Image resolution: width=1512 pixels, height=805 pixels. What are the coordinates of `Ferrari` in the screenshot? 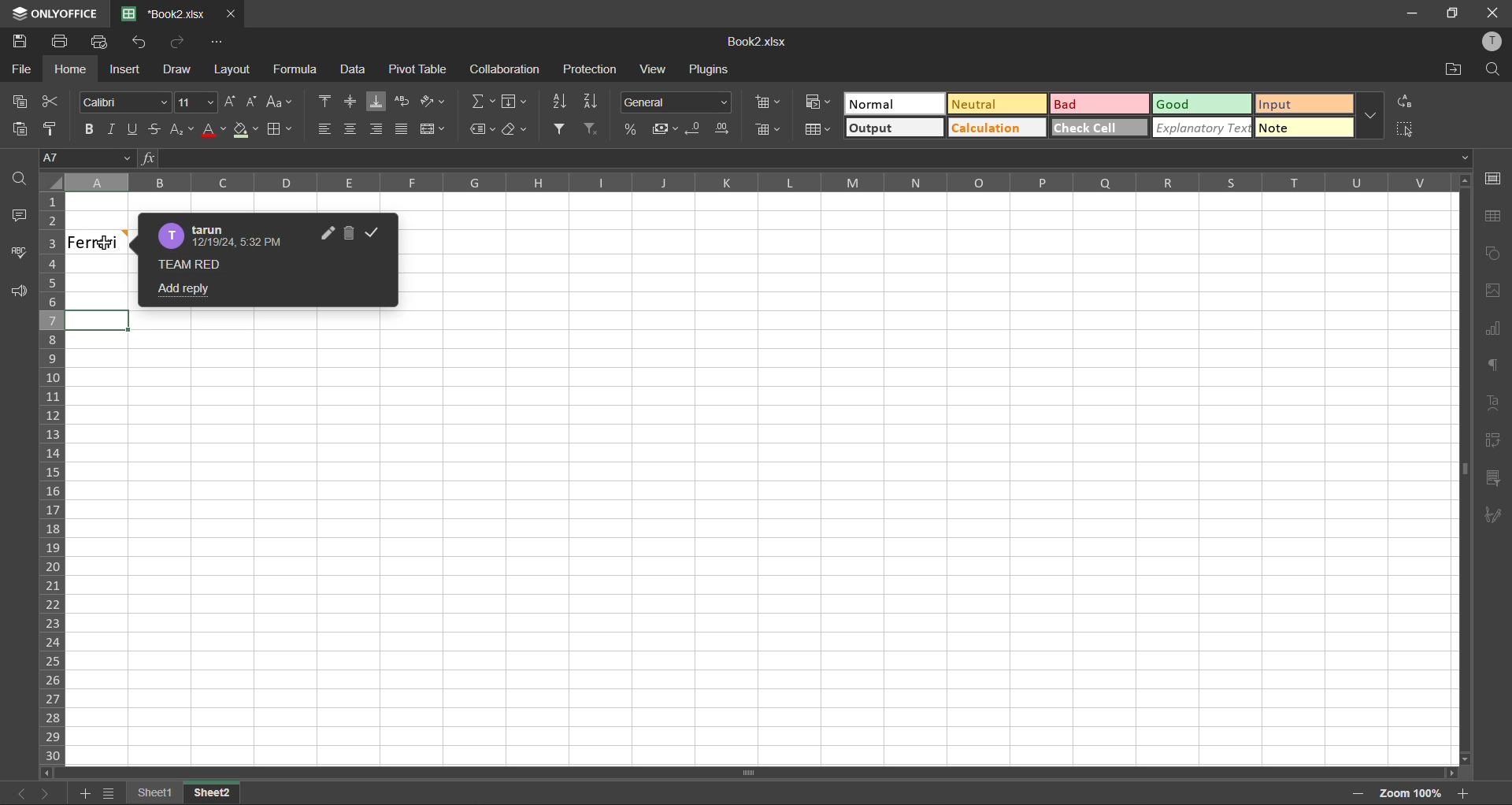 It's located at (99, 242).